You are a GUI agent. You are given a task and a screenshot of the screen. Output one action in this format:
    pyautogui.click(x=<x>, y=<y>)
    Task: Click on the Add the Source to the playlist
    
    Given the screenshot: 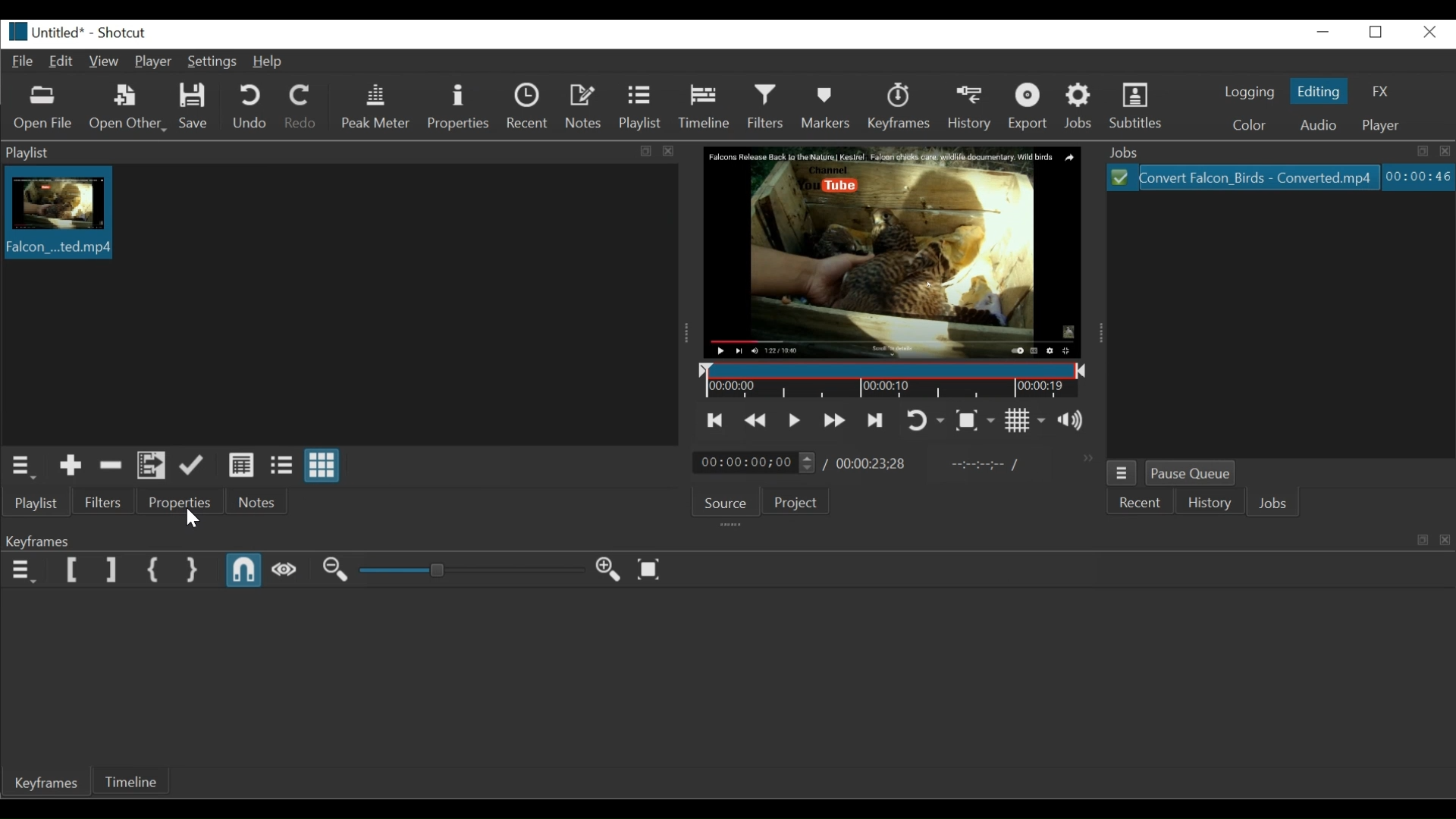 What is the action you would take?
    pyautogui.click(x=69, y=466)
    